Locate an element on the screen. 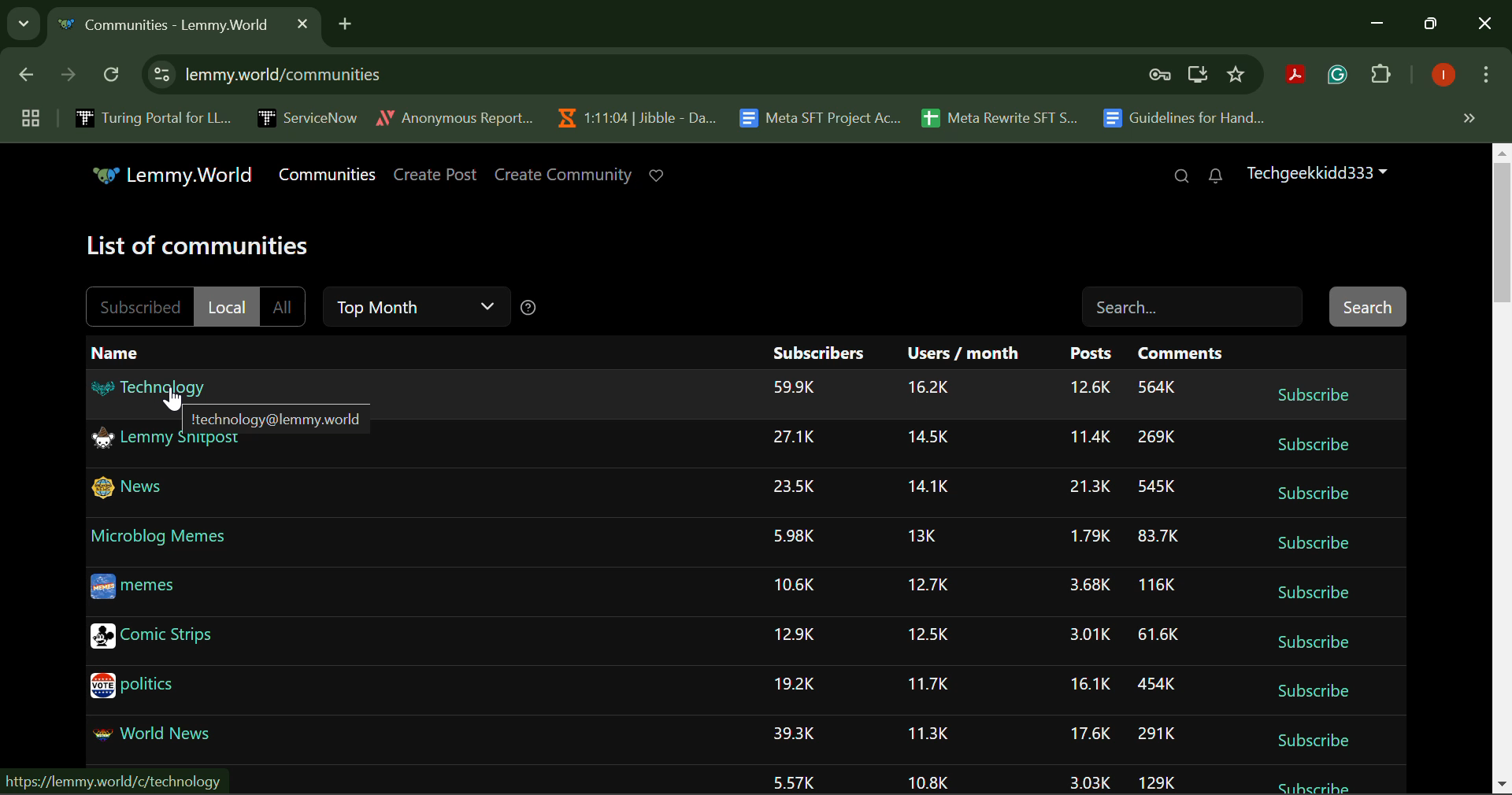 This screenshot has width=1512, height=795. Logged In User is located at coordinates (1440, 76).